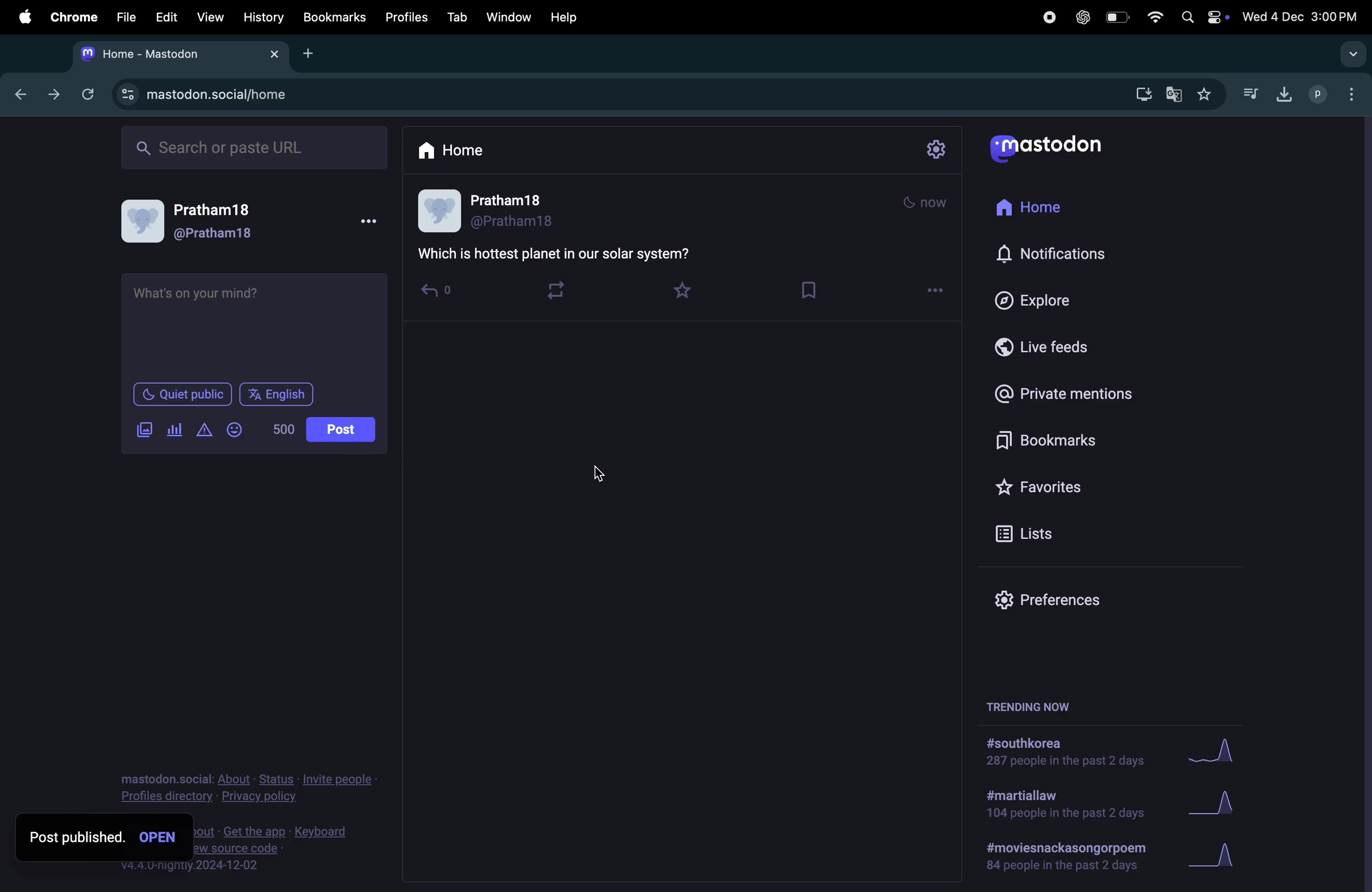 Image resolution: width=1372 pixels, height=892 pixels. I want to click on Quiet public, so click(180, 394).